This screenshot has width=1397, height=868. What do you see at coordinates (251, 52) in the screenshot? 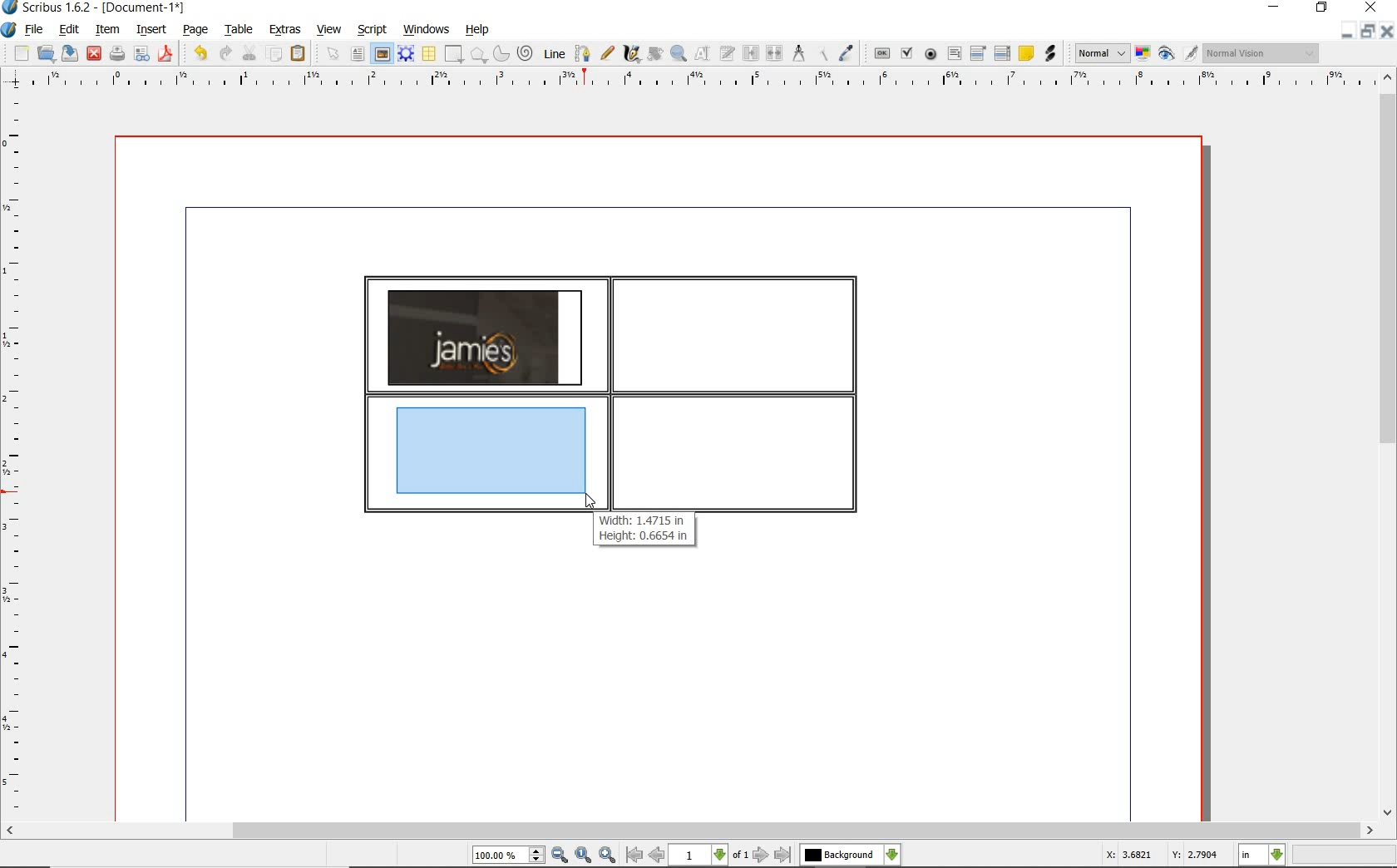
I see `cut` at bounding box center [251, 52].